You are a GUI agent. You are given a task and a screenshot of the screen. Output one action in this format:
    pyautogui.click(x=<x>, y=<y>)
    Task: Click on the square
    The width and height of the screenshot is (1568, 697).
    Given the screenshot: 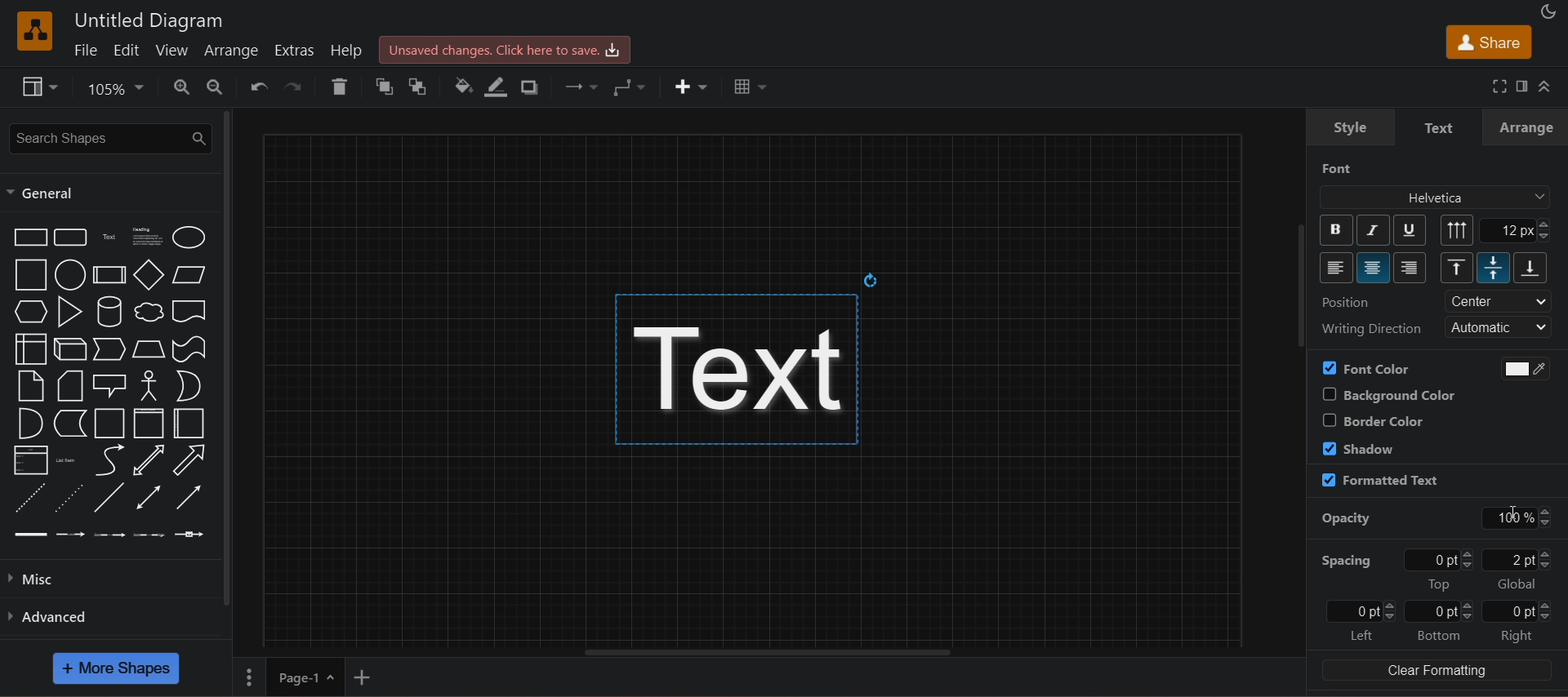 What is the action you would take?
    pyautogui.click(x=29, y=275)
    